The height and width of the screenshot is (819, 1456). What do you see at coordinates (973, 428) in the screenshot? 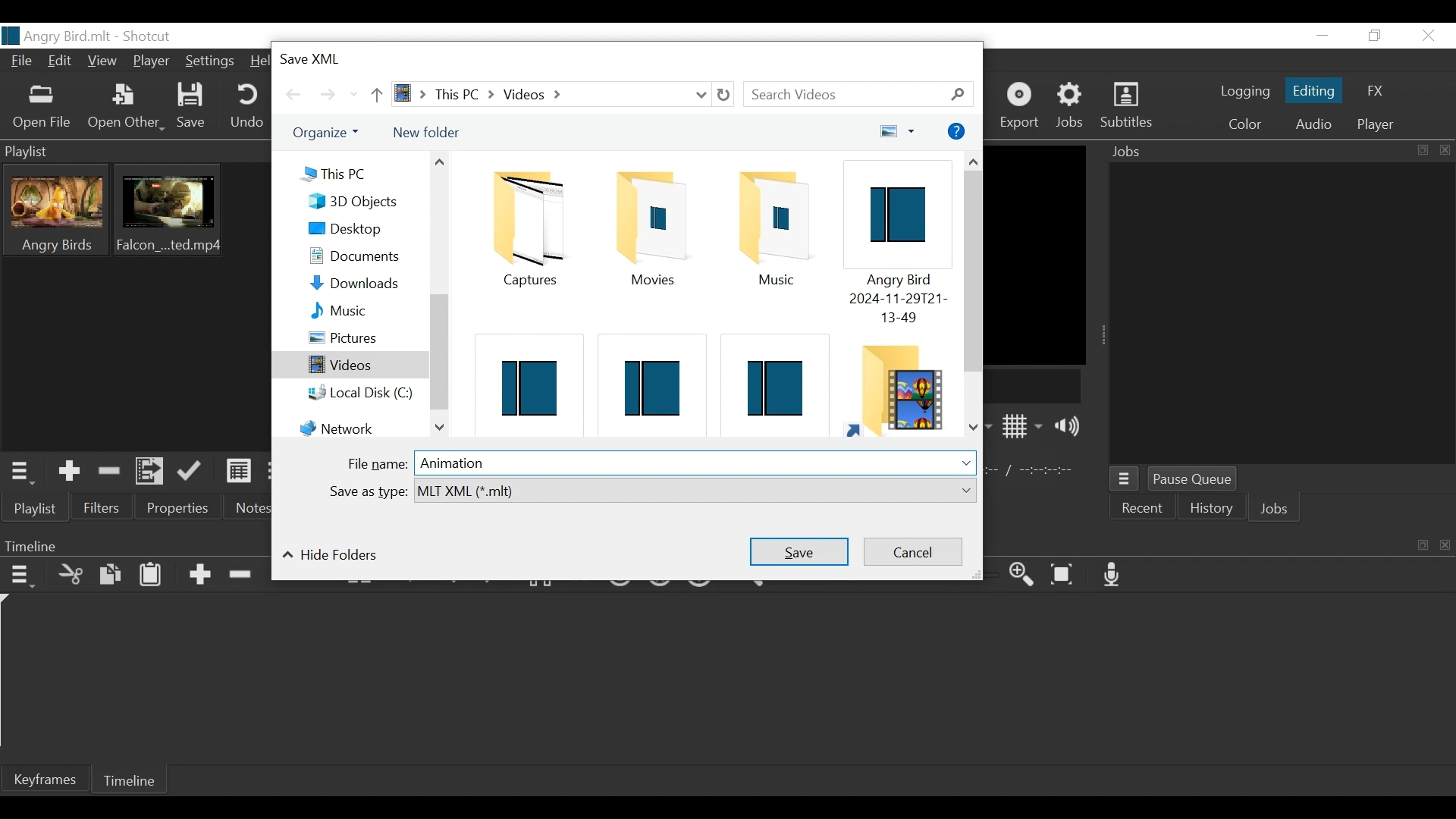
I see `Scroll down` at bounding box center [973, 428].